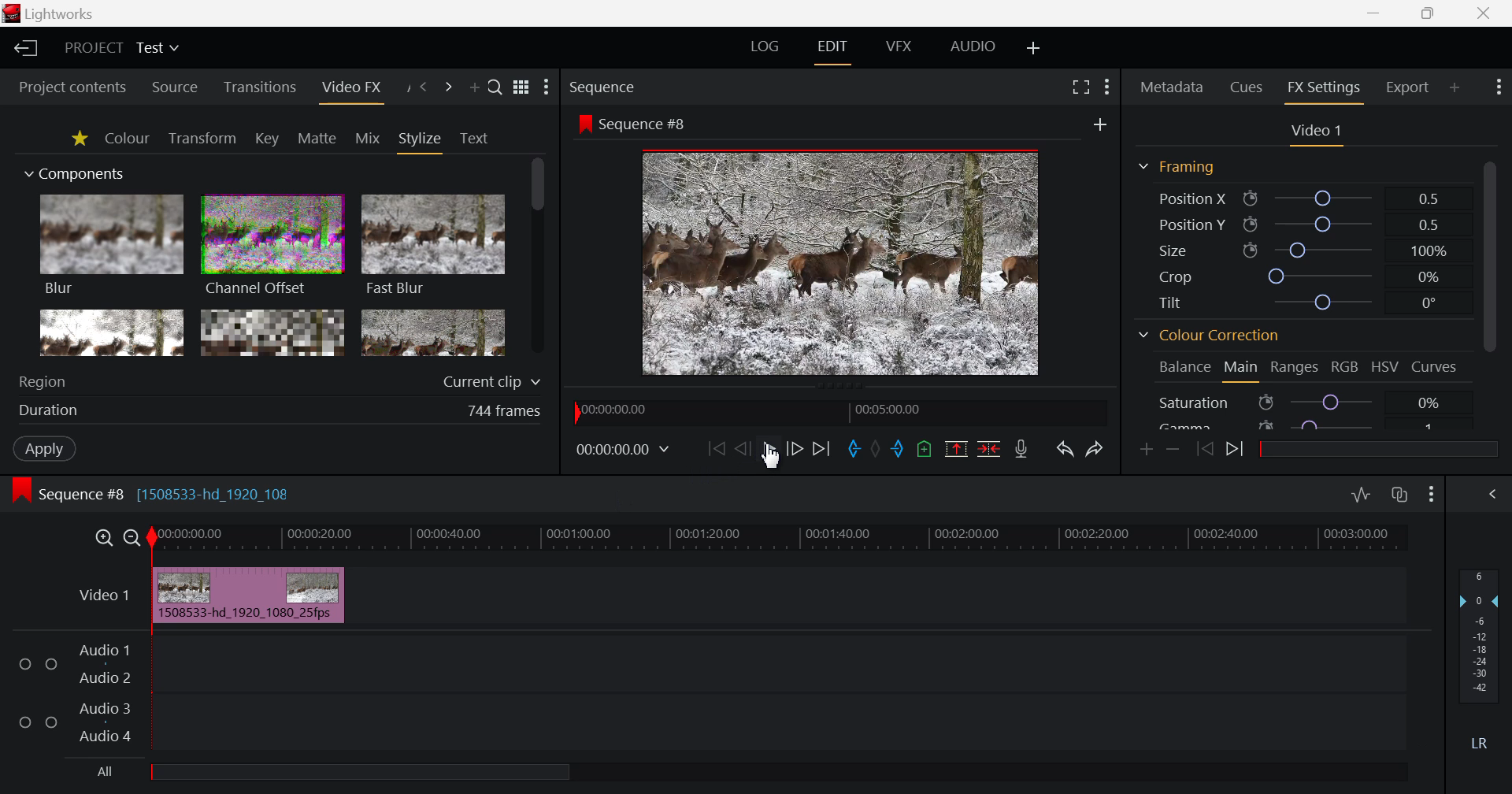  Describe the element at coordinates (855, 449) in the screenshot. I see `Mark In` at that location.